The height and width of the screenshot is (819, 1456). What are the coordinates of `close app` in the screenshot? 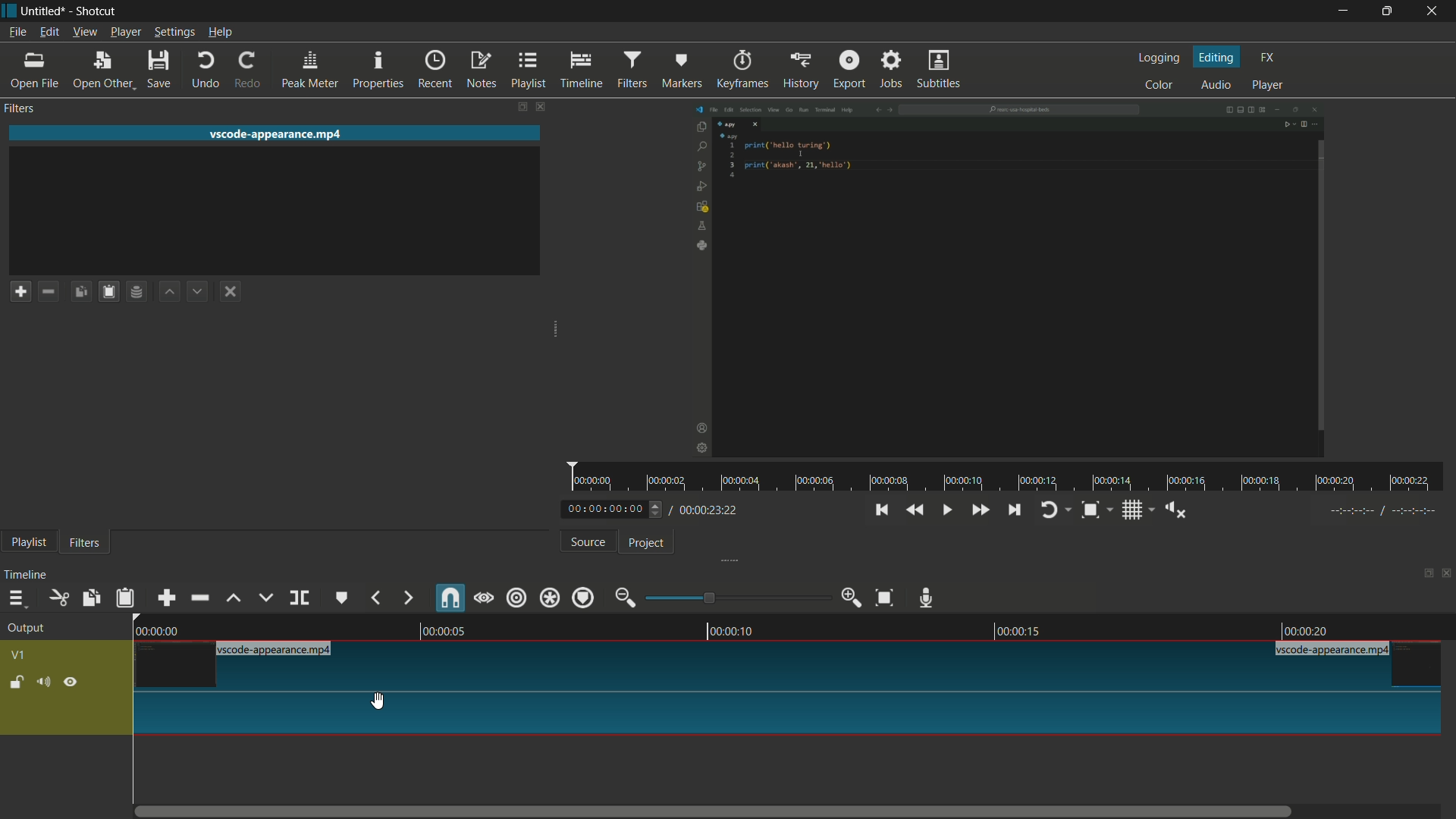 It's located at (1433, 11).